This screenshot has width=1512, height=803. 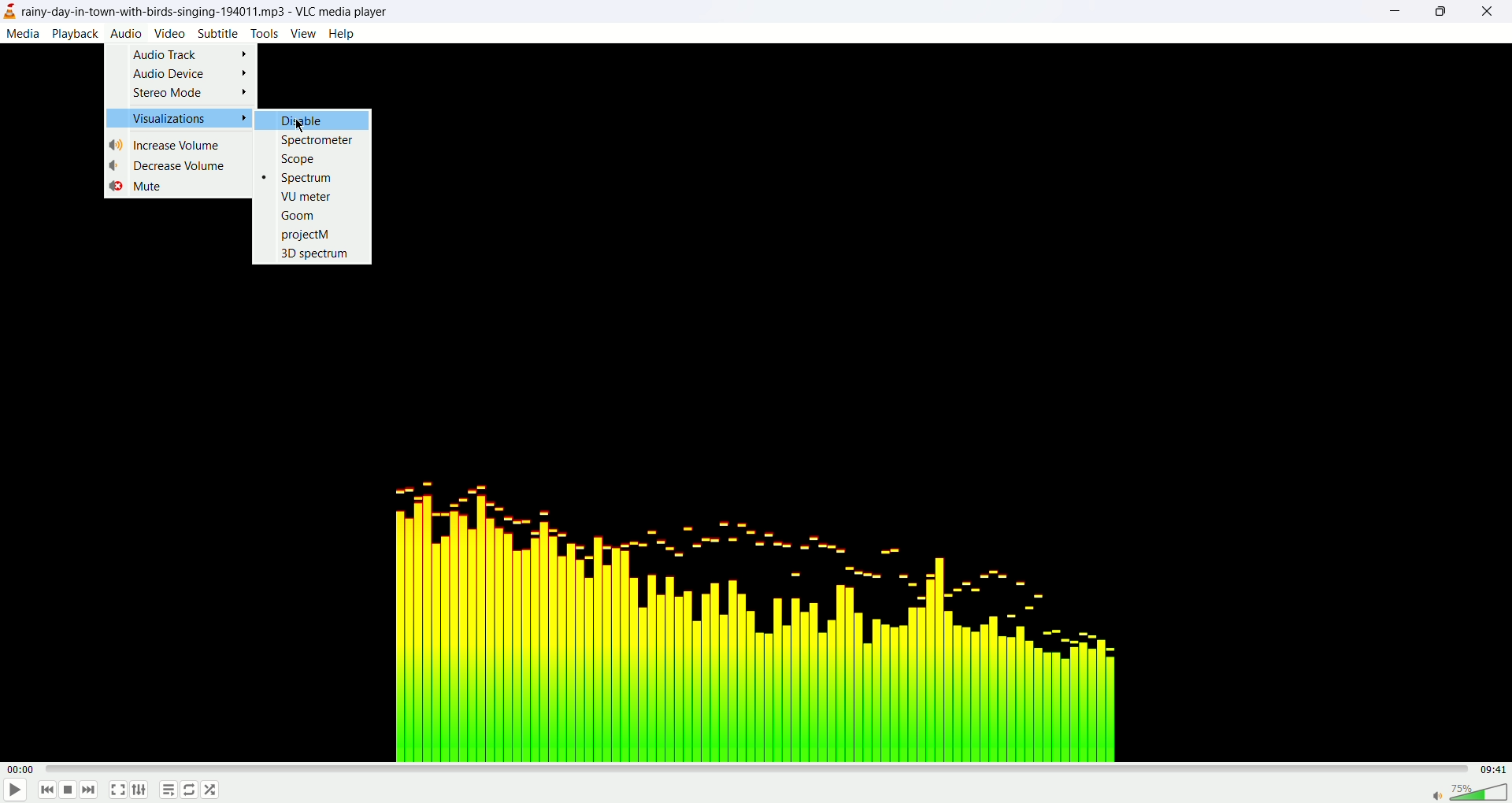 What do you see at coordinates (136, 187) in the screenshot?
I see `mute` at bounding box center [136, 187].